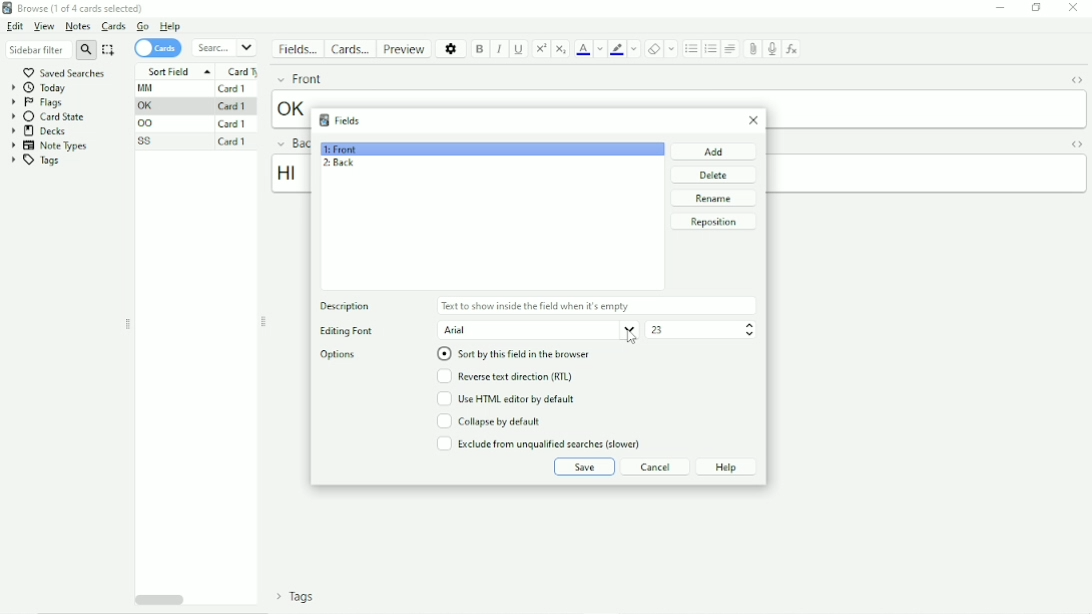 This screenshot has height=614, width=1092. I want to click on Close, so click(1074, 8).